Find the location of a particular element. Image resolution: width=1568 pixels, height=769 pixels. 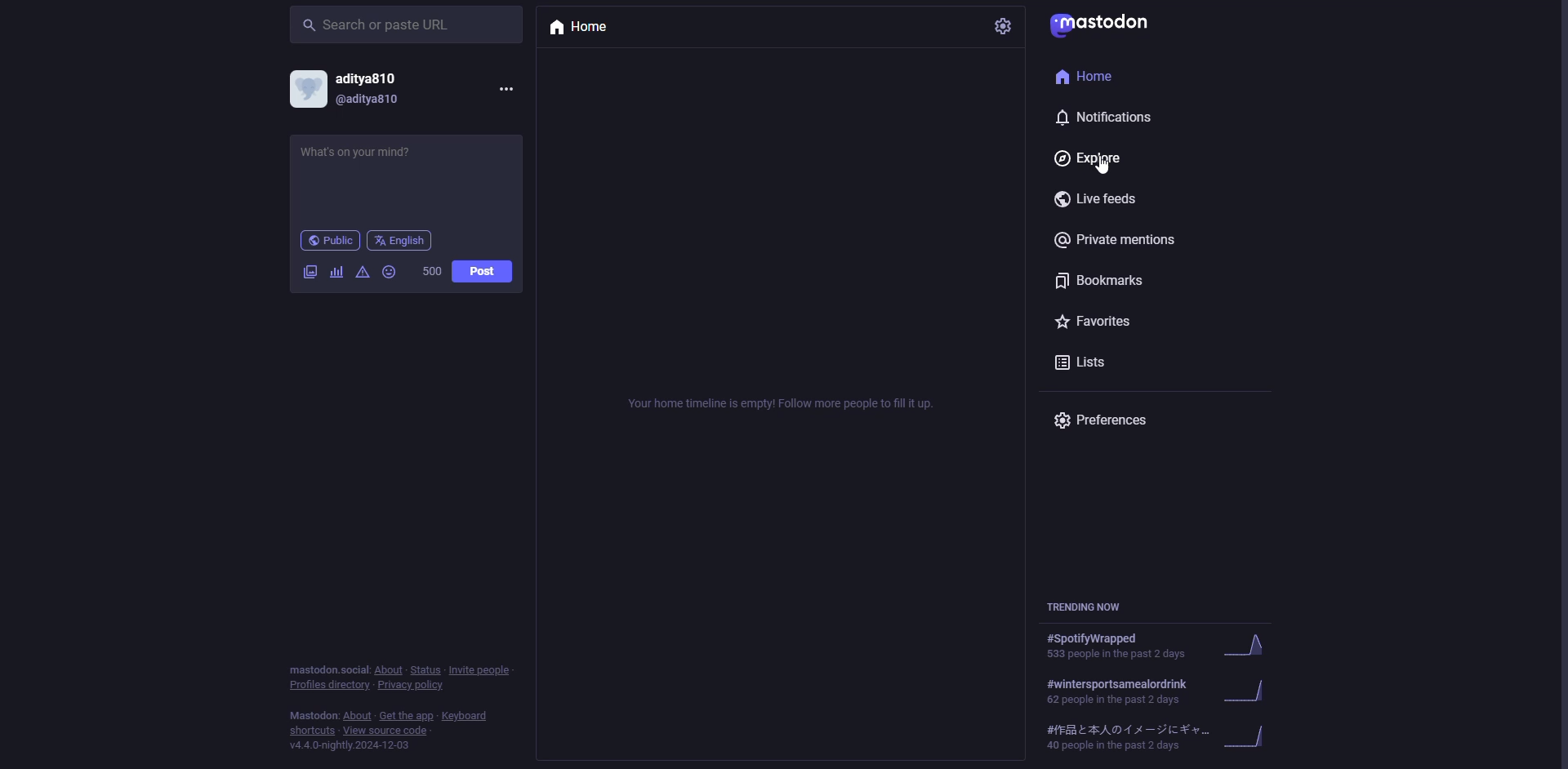

cursor is located at coordinates (1107, 167).